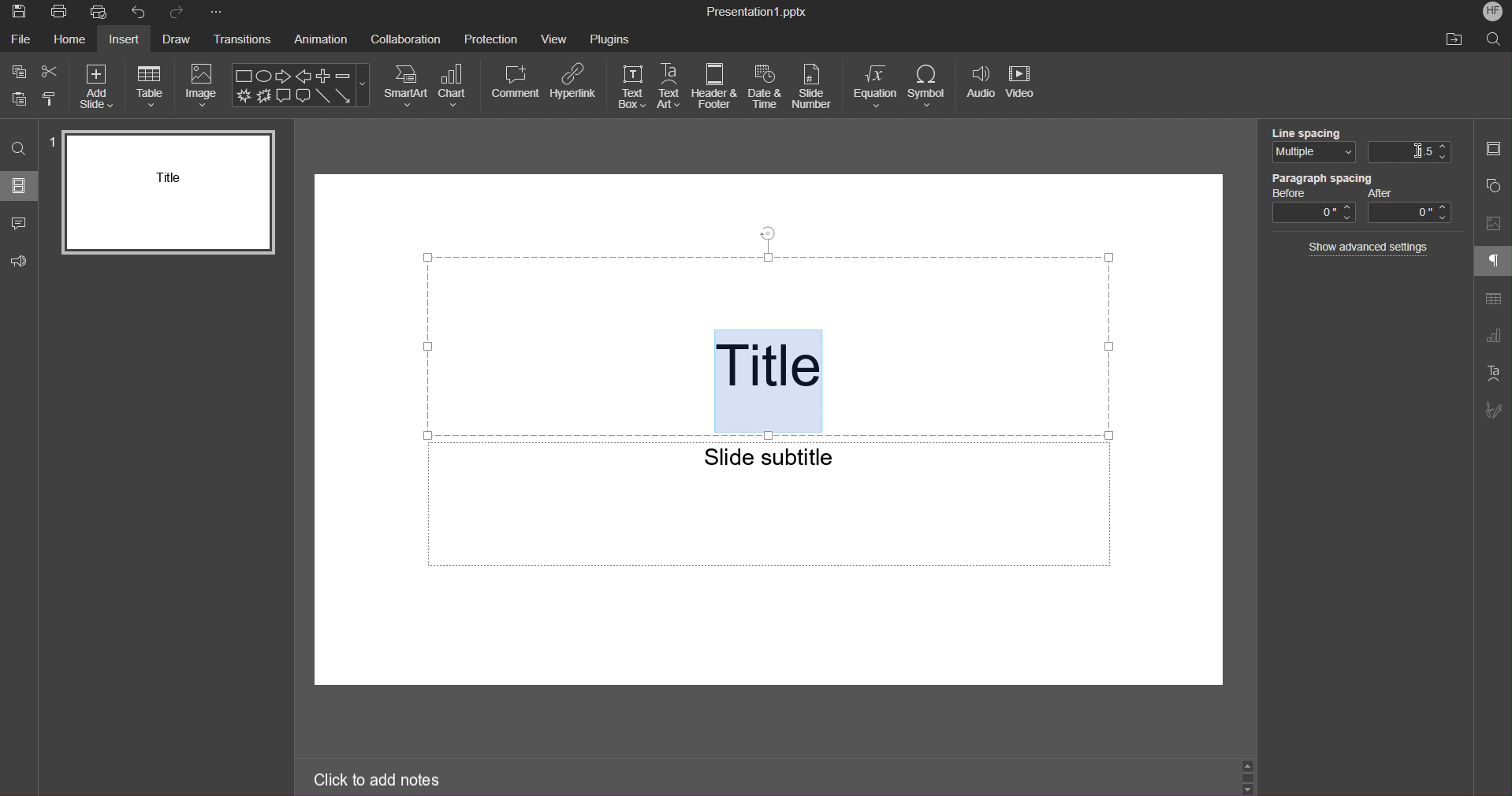 Image resolution: width=1512 pixels, height=796 pixels. What do you see at coordinates (51, 100) in the screenshot?
I see `Copy style` at bounding box center [51, 100].